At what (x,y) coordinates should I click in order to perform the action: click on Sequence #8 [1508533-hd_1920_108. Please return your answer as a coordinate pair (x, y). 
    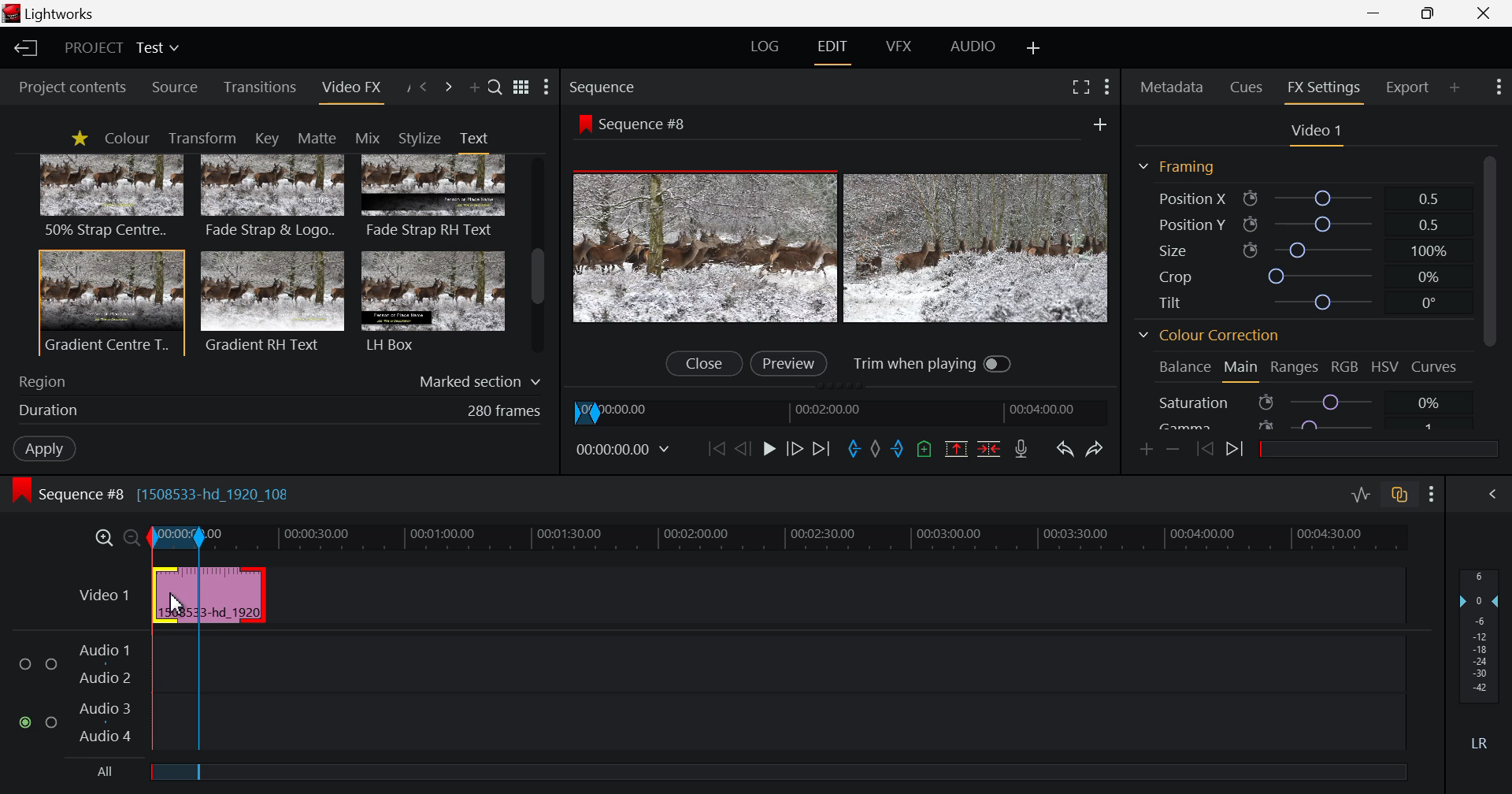
    Looking at the image, I should click on (162, 493).